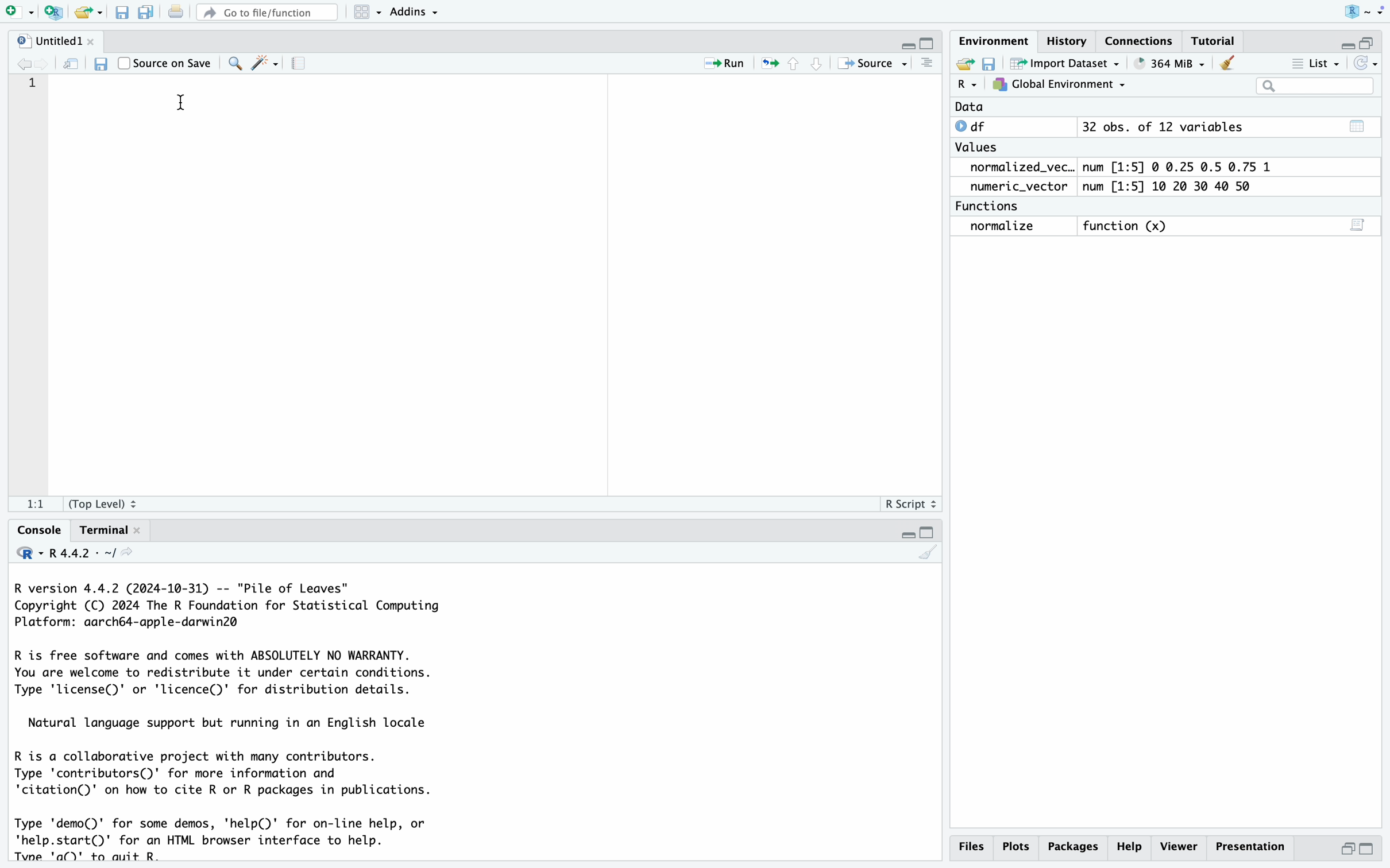  I want to click on Connections, so click(1140, 41).